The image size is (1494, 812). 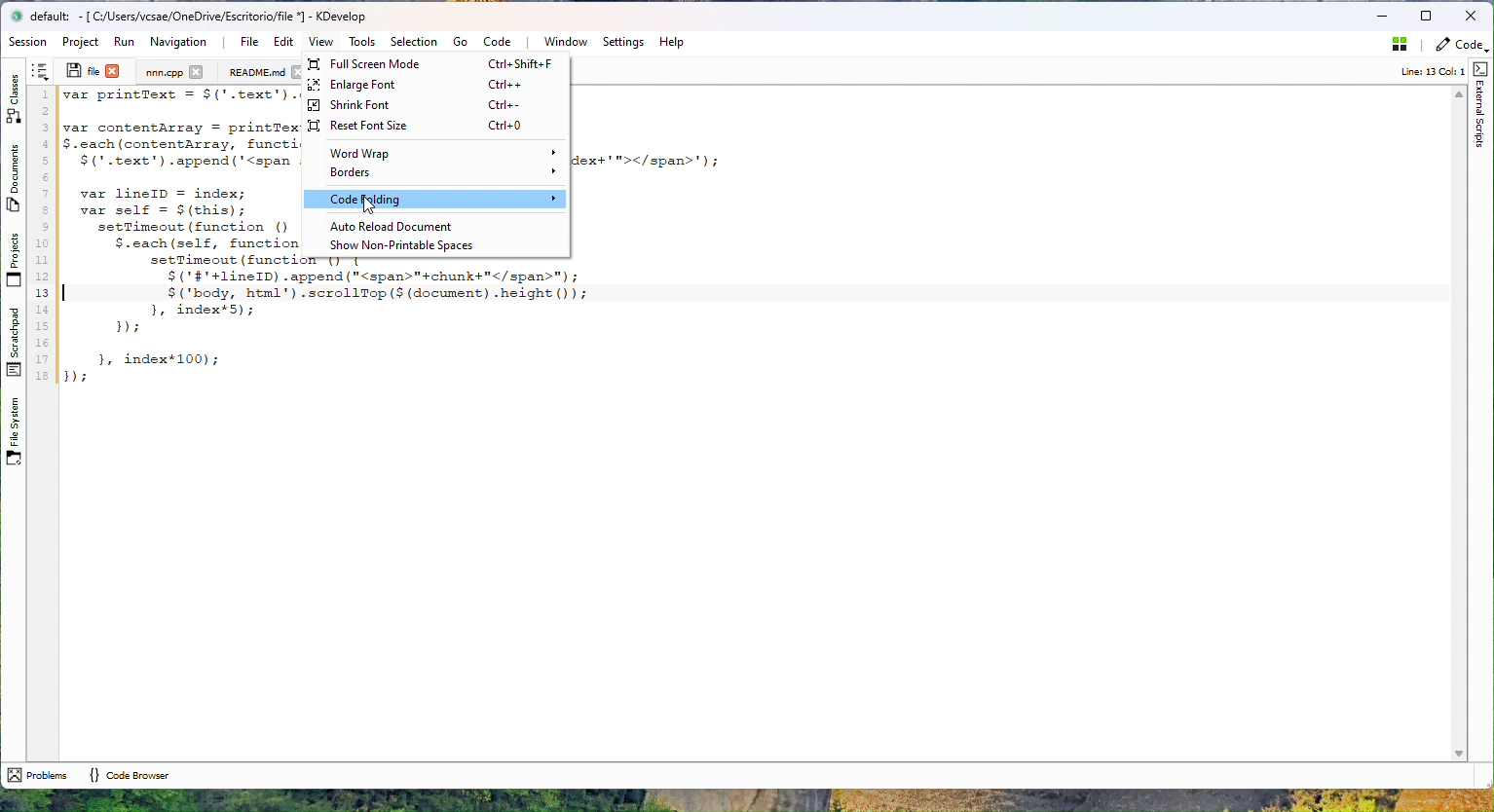 What do you see at coordinates (13, 342) in the screenshot?
I see `Scratchpad` at bounding box center [13, 342].